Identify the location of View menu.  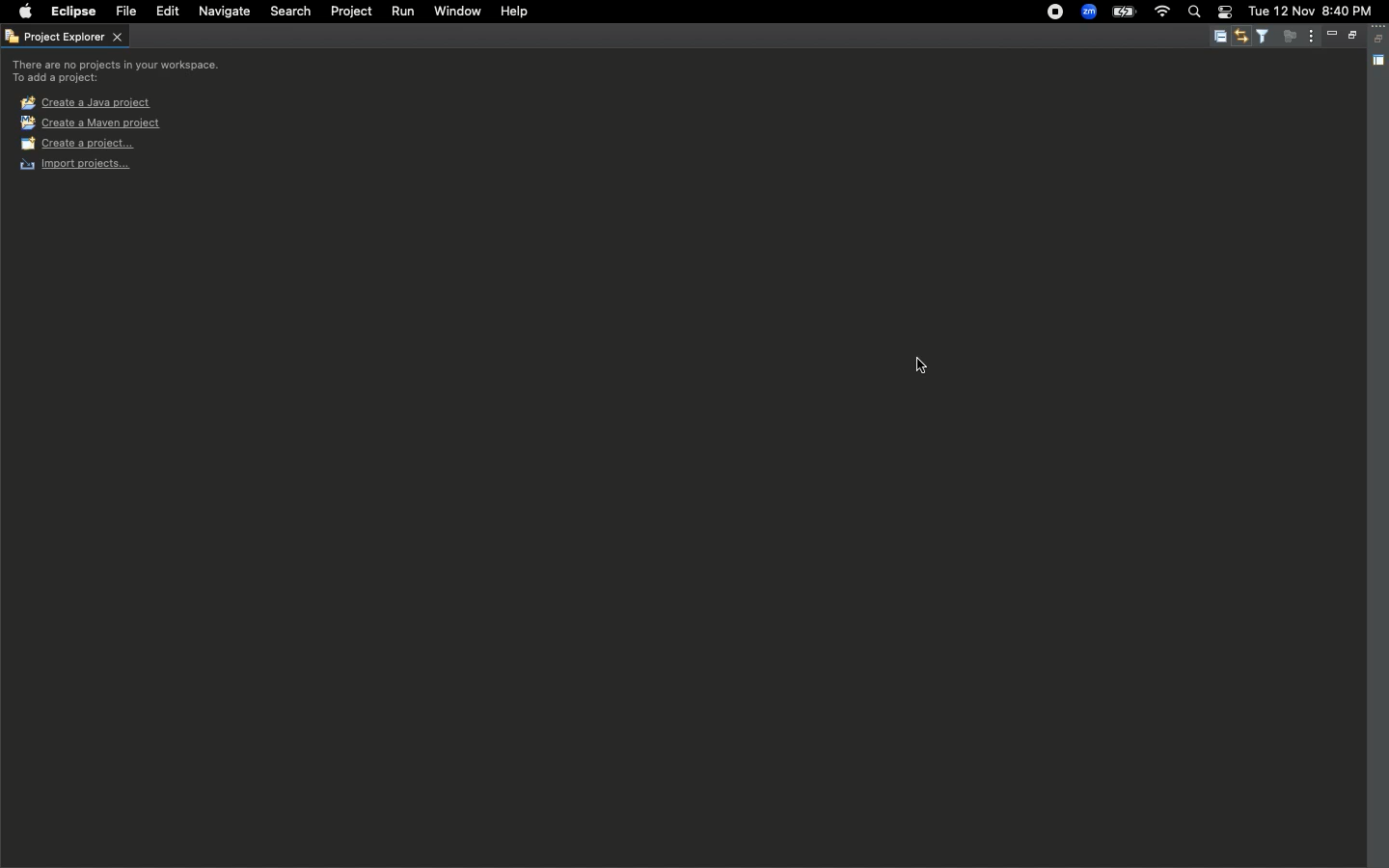
(1309, 37).